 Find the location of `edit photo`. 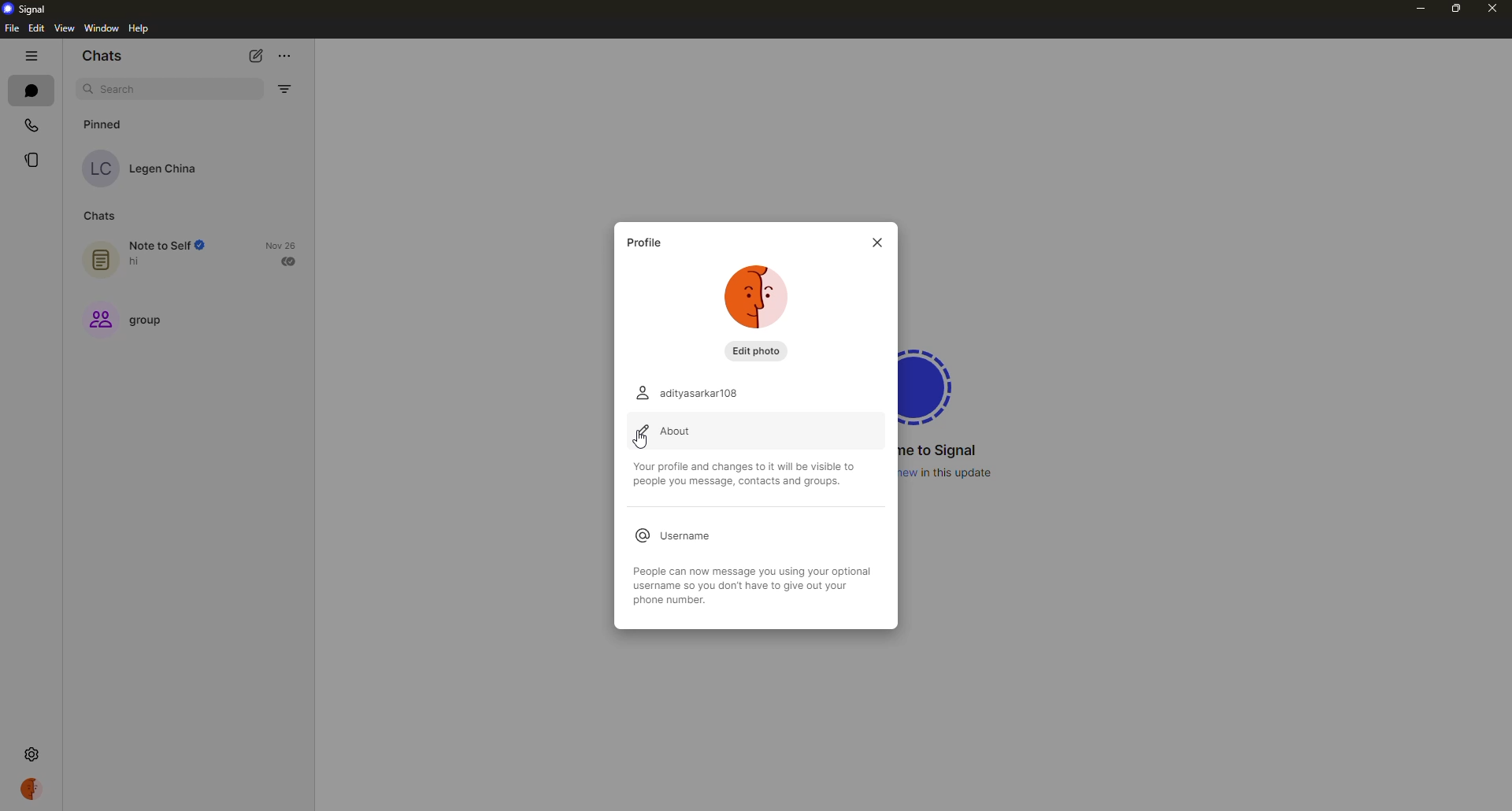

edit photo is located at coordinates (758, 351).